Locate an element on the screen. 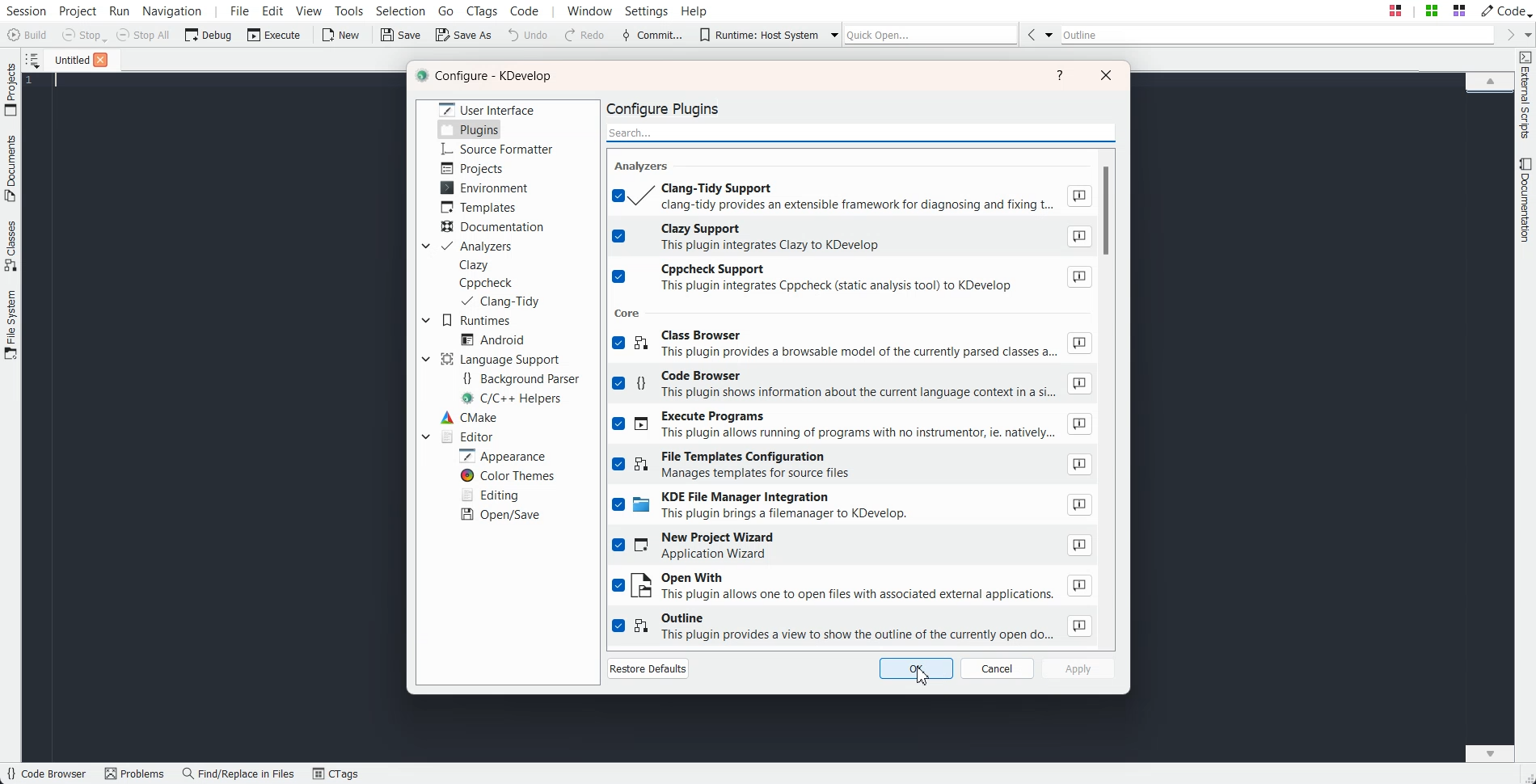 The image size is (1536, 784). Save As is located at coordinates (463, 34).